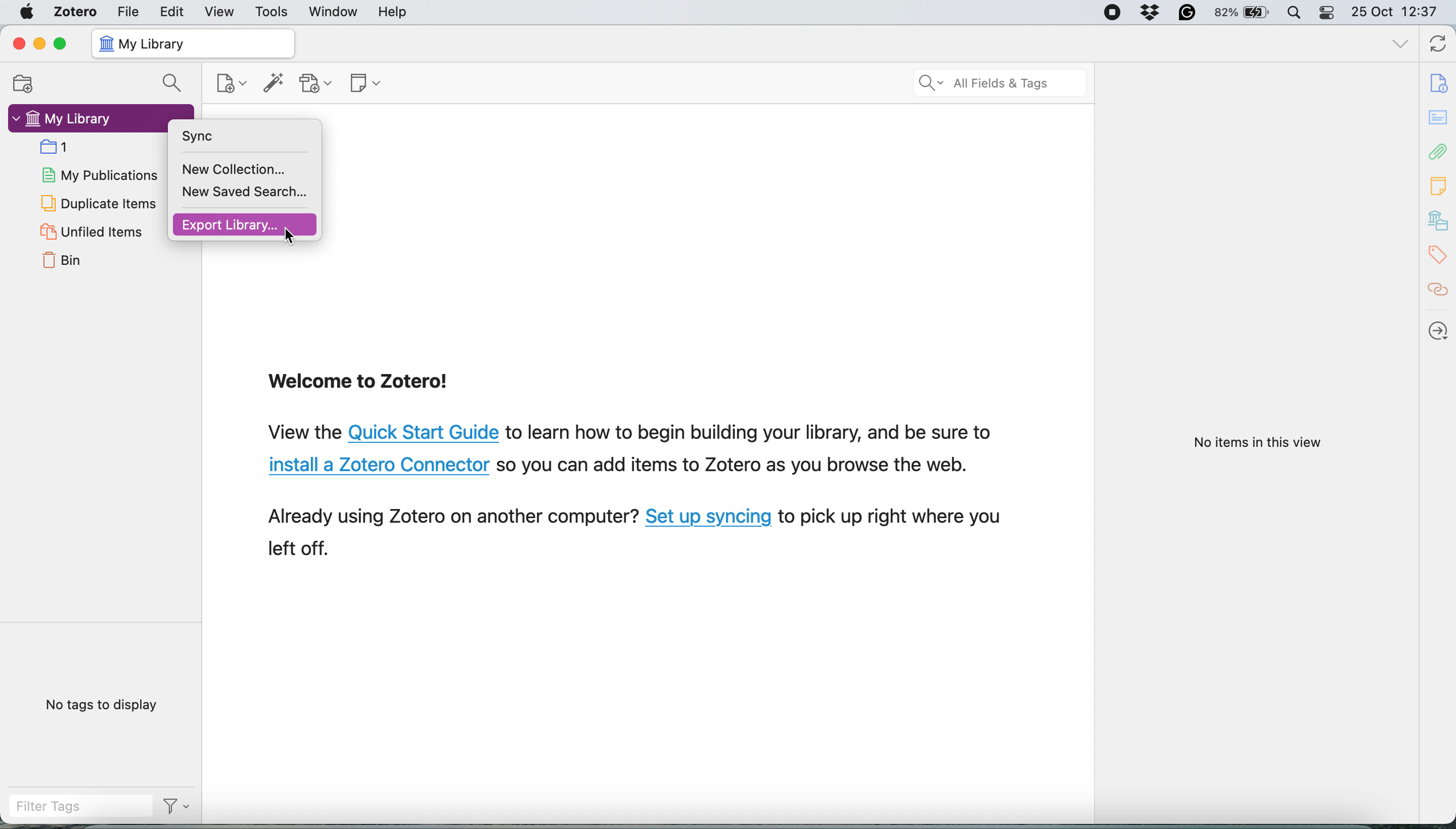  What do you see at coordinates (245, 191) in the screenshot?
I see `New Saved Search...` at bounding box center [245, 191].